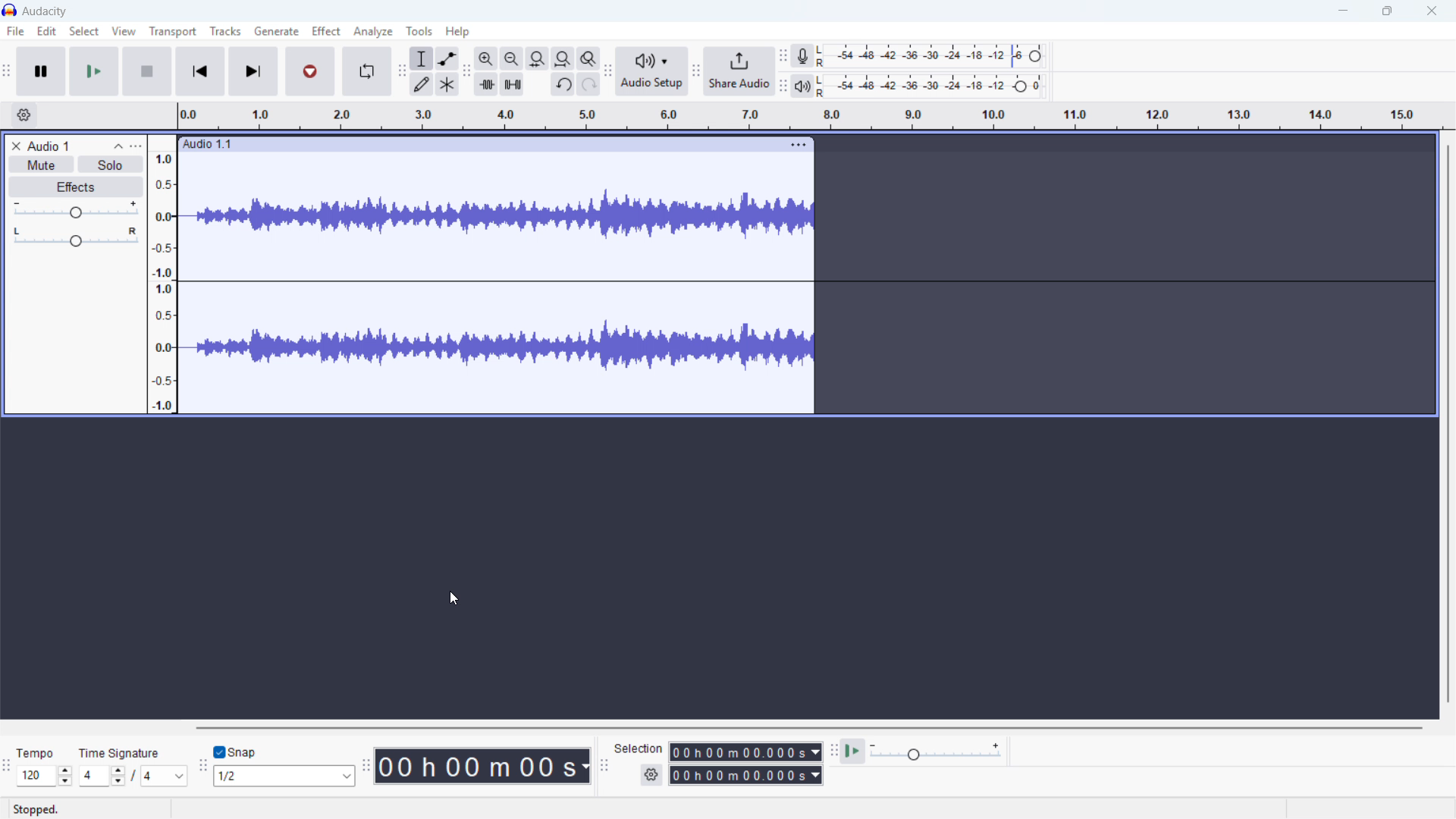 The image size is (1456, 819). What do you see at coordinates (7, 73) in the screenshot?
I see `Transport toolbar` at bounding box center [7, 73].